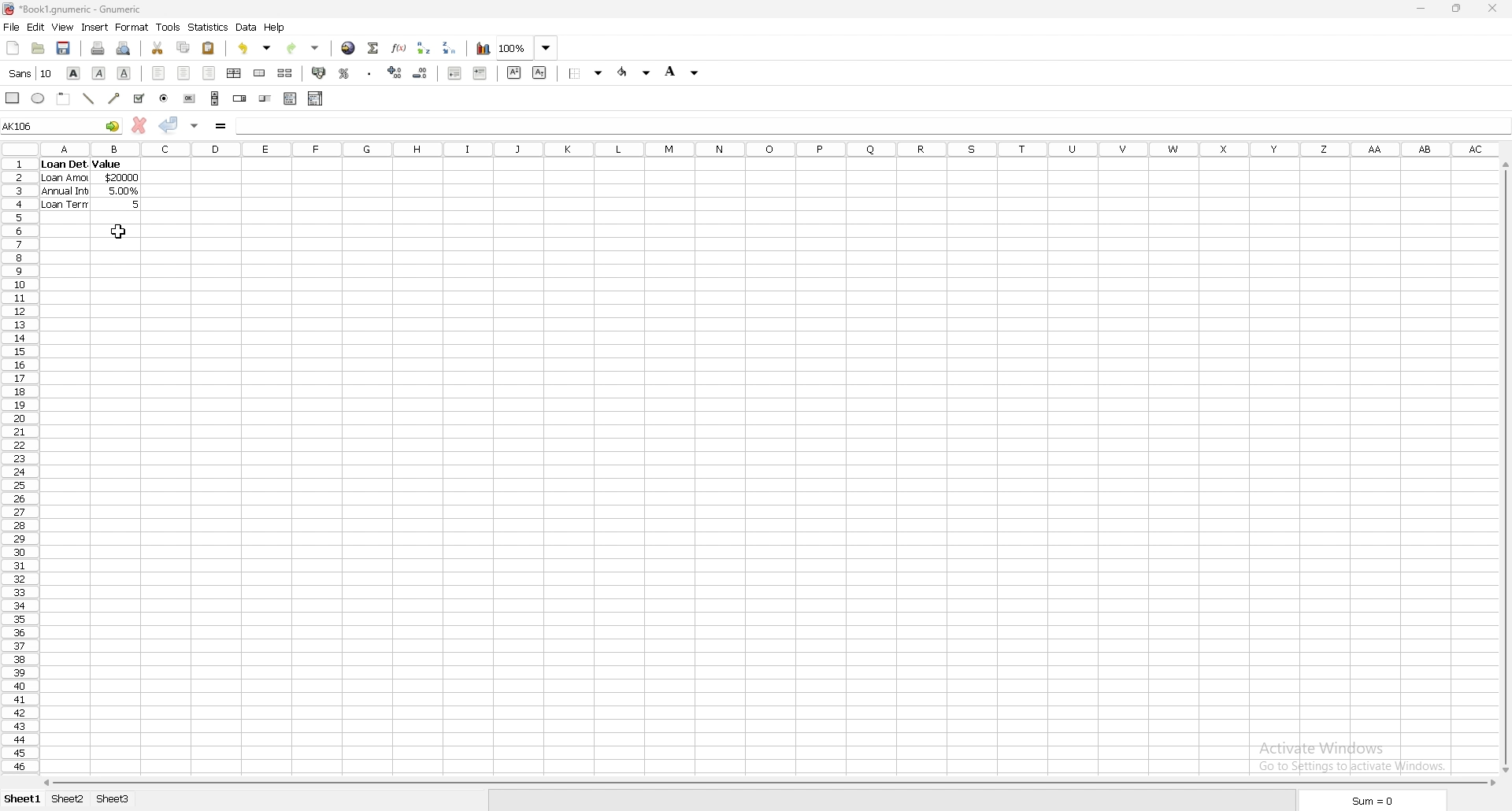 The width and height of the screenshot is (1512, 811). Describe the element at coordinates (480, 73) in the screenshot. I see `increase indent` at that location.